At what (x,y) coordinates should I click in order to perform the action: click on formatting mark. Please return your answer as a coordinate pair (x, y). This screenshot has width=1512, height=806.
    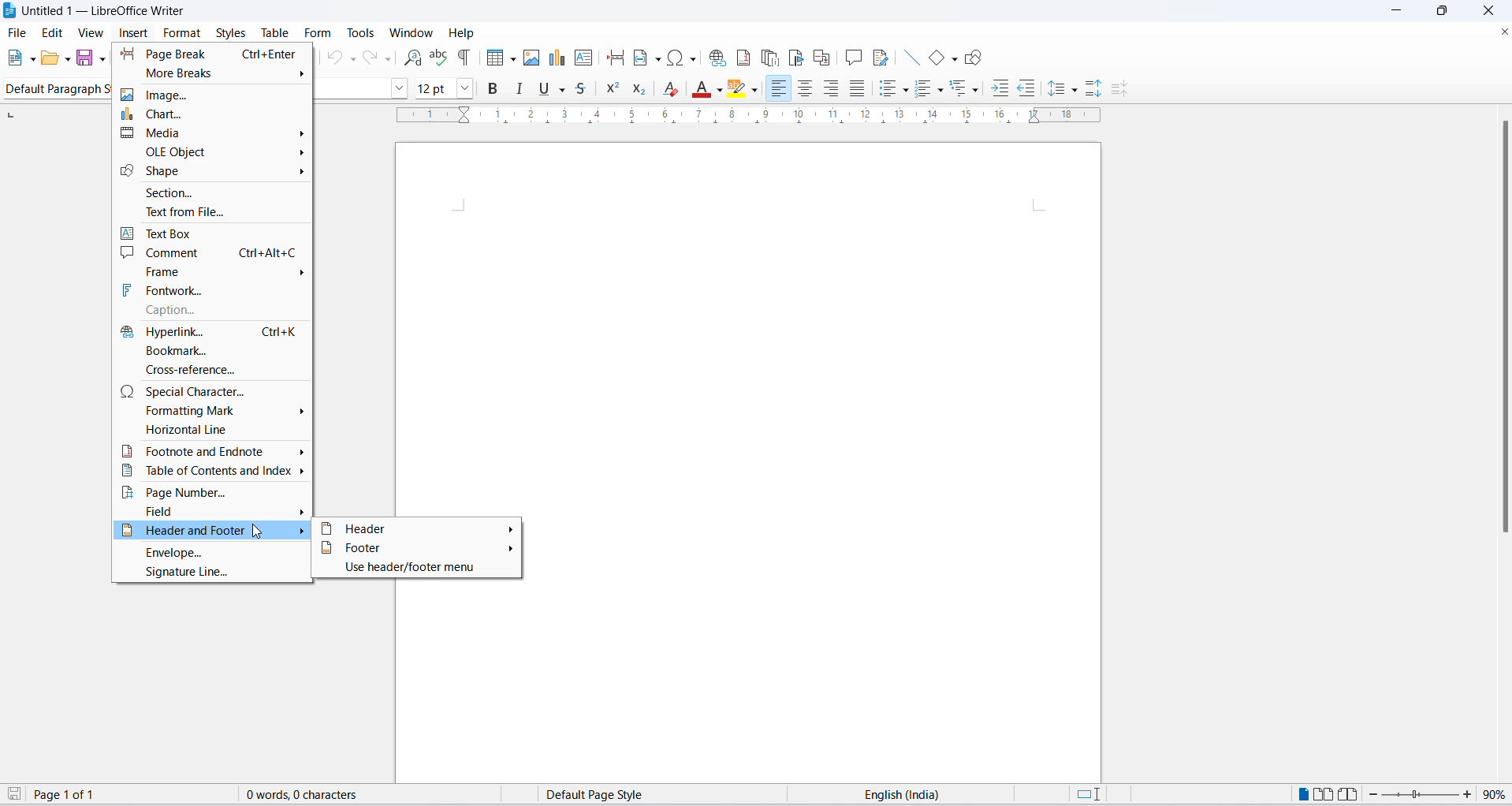
    Looking at the image, I should click on (212, 410).